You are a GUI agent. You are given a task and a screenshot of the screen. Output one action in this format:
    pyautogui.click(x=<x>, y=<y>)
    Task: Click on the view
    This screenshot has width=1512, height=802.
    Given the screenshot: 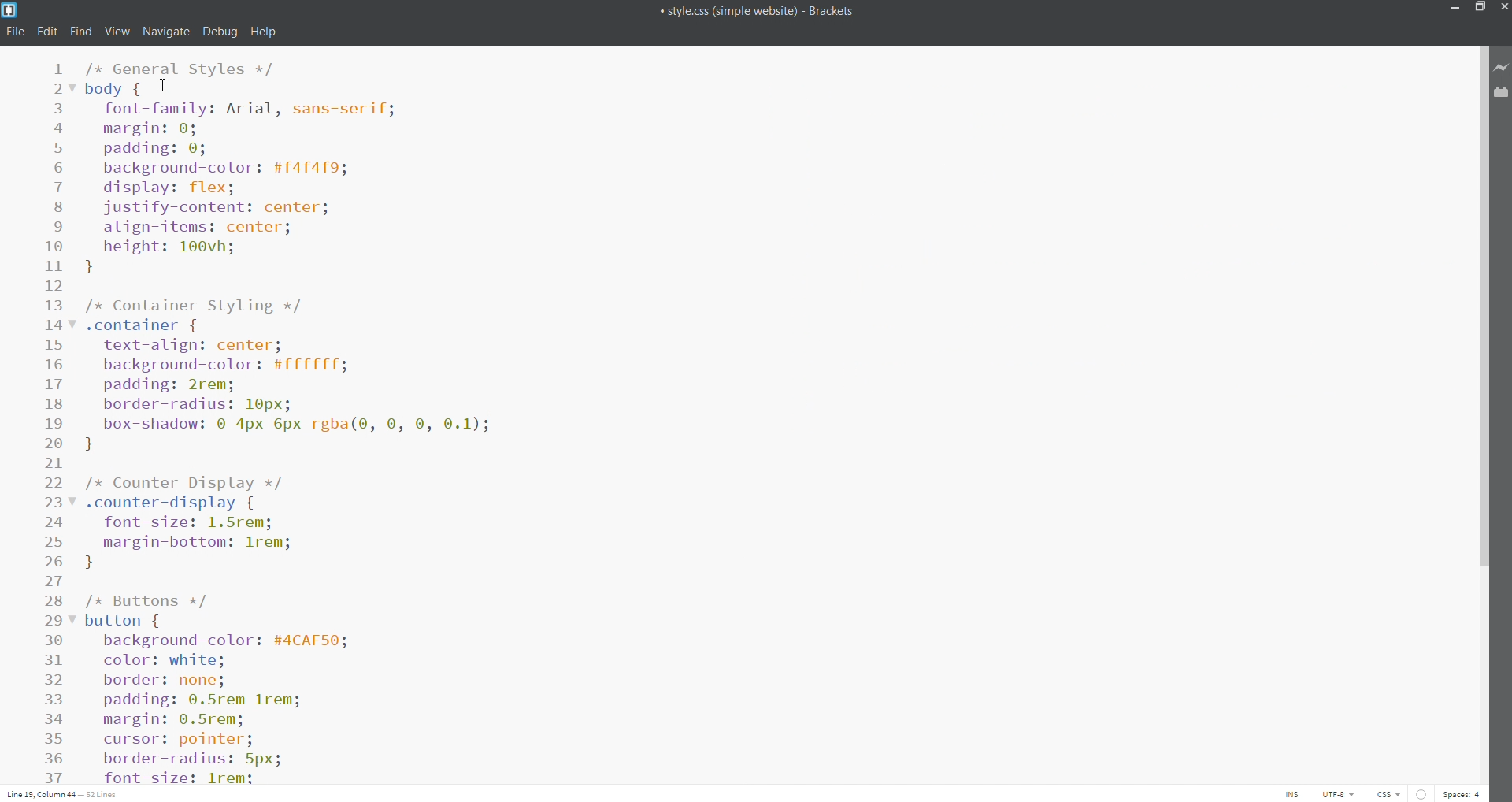 What is the action you would take?
    pyautogui.click(x=113, y=30)
    